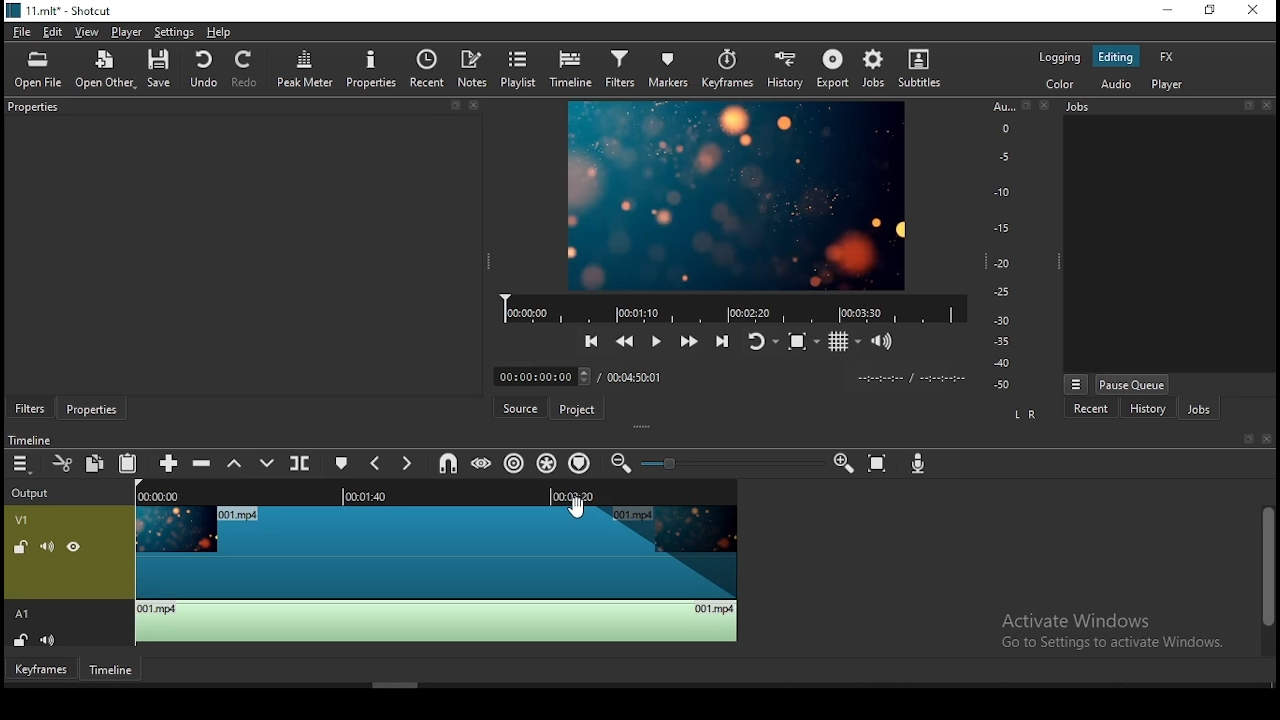  I want to click on timeline menu, so click(20, 464).